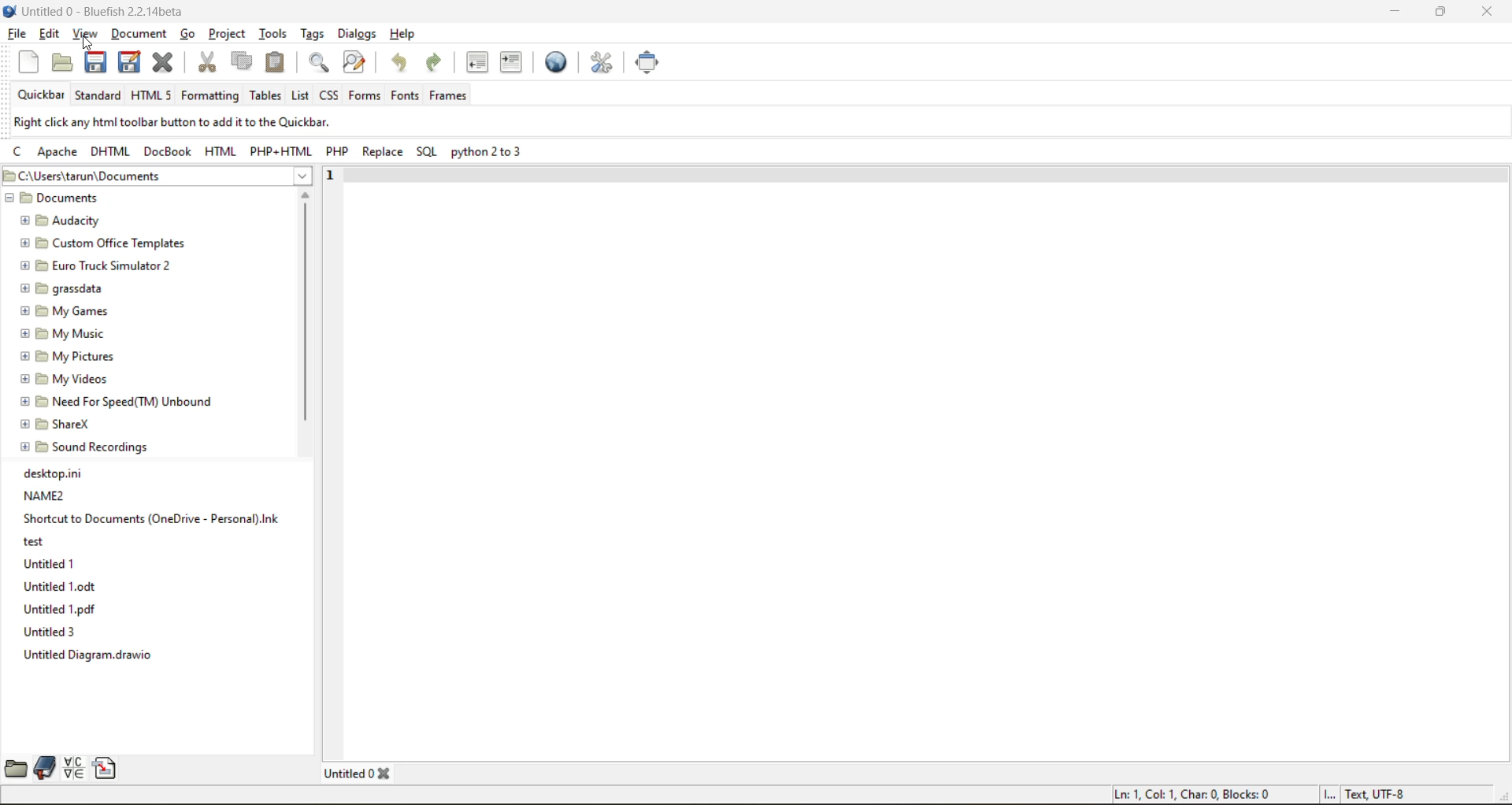 This screenshot has height=805, width=1512. I want to click on close, so click(1489, 13).